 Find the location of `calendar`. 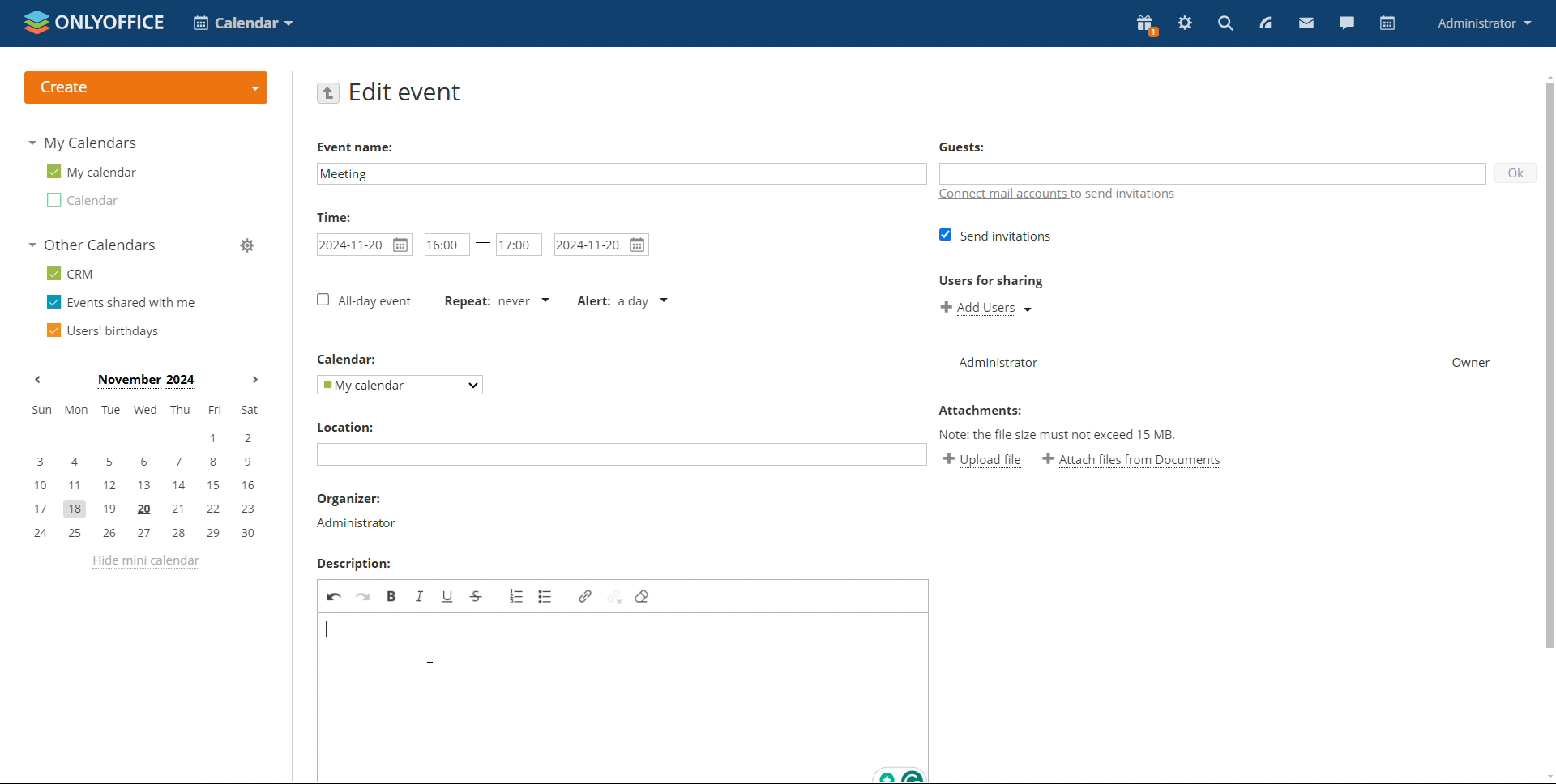

calendar is located at coordinates (347, 360).